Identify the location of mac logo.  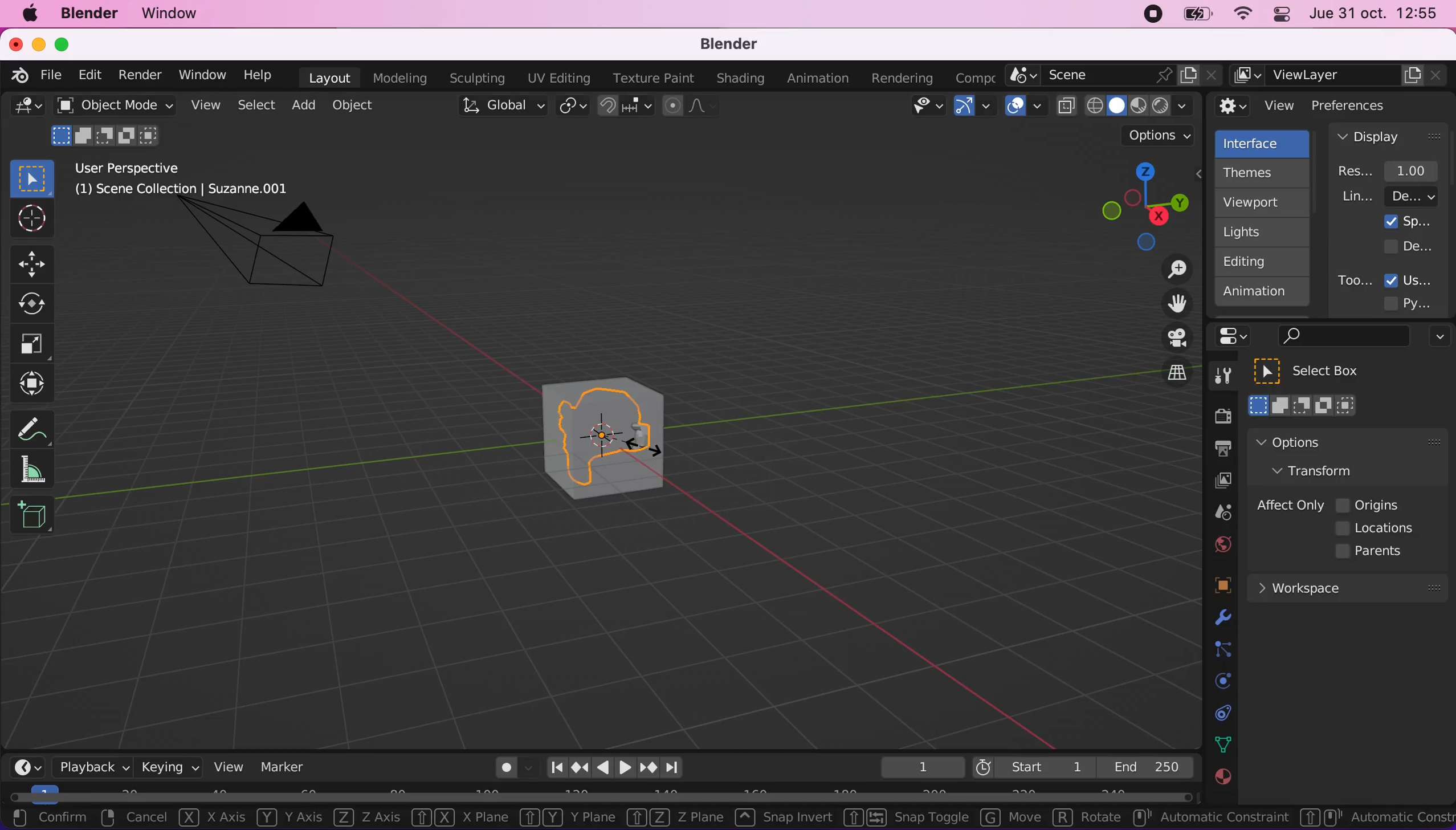
(29, 15).